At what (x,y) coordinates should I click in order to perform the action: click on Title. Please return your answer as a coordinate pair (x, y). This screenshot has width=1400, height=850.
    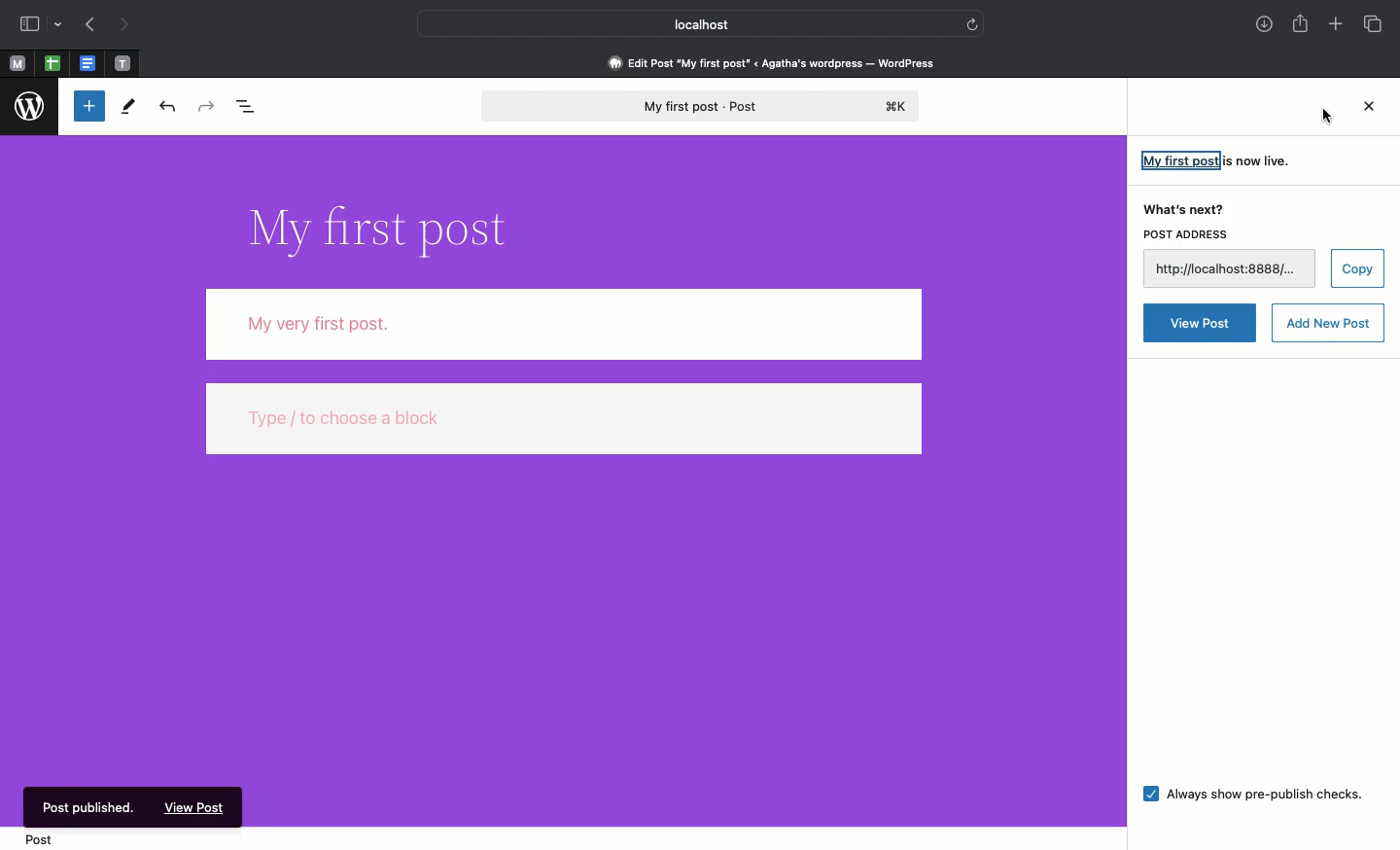
    Looking at the image, I should click on (389, 230).